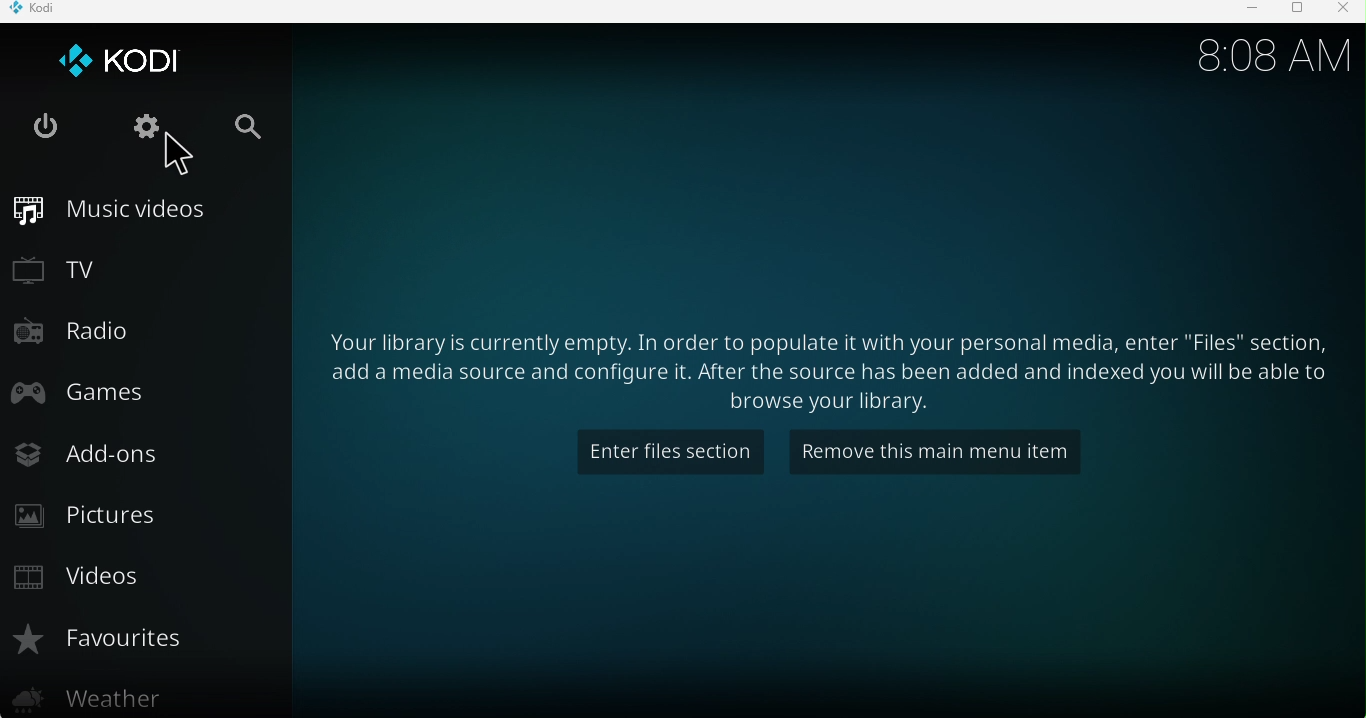 This screenshot has height=718, width=1366. What do you see at coordinates (945, 452) in the screenshot?
I see `Remove this main menu item` at bounding box center [945, 452].